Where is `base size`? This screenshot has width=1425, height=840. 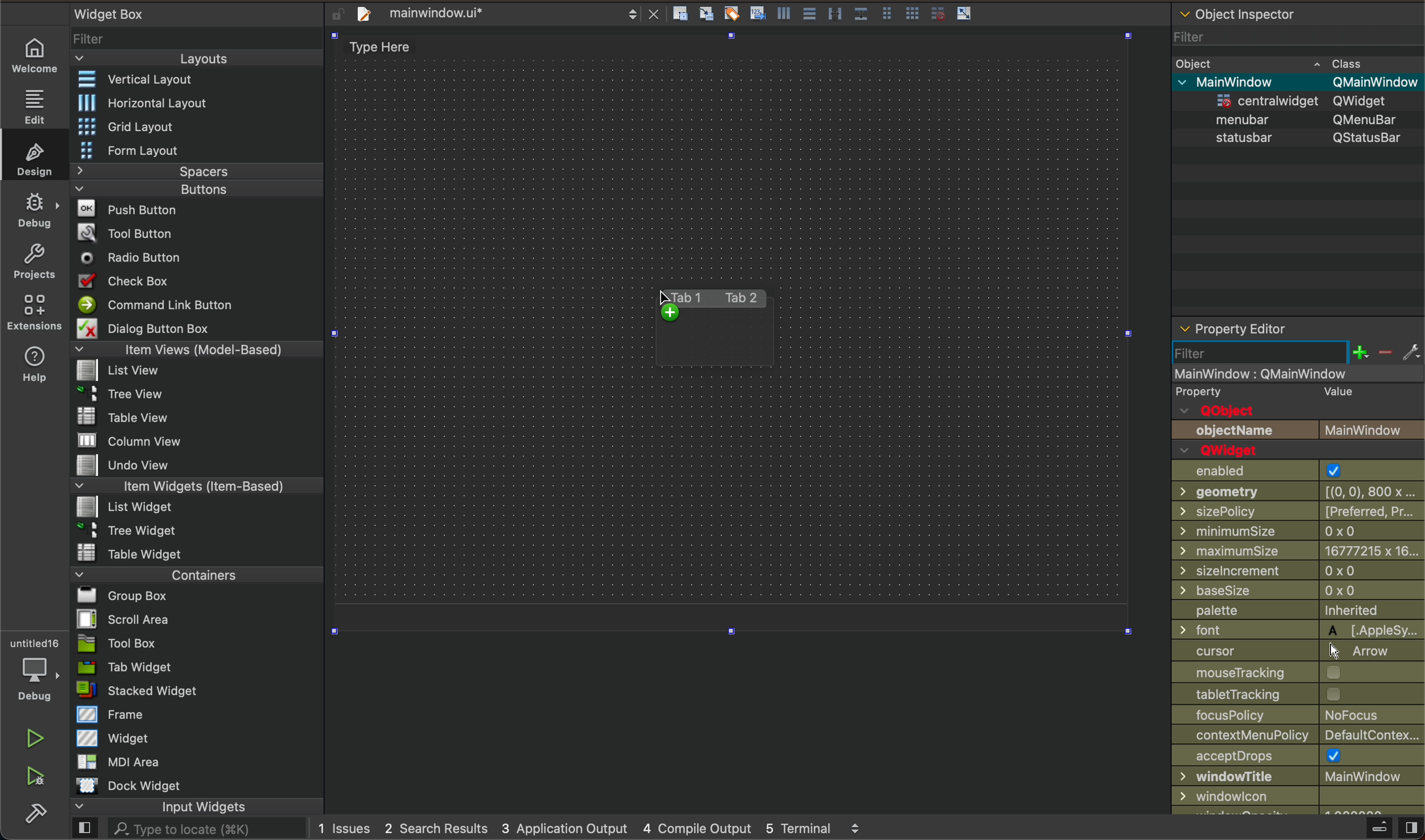
base size is located at coordinates (1298, 589).